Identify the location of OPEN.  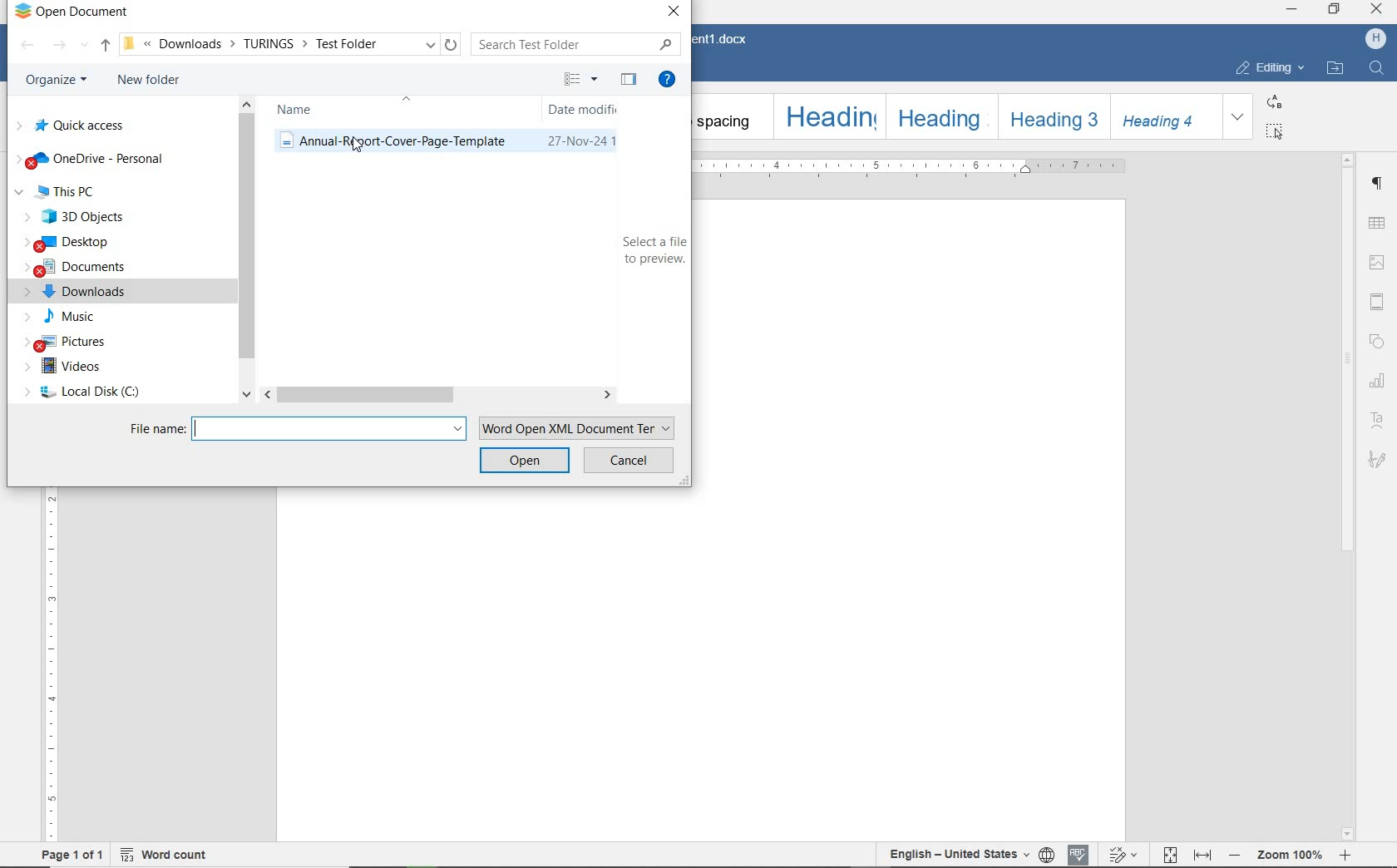
(525, 460).